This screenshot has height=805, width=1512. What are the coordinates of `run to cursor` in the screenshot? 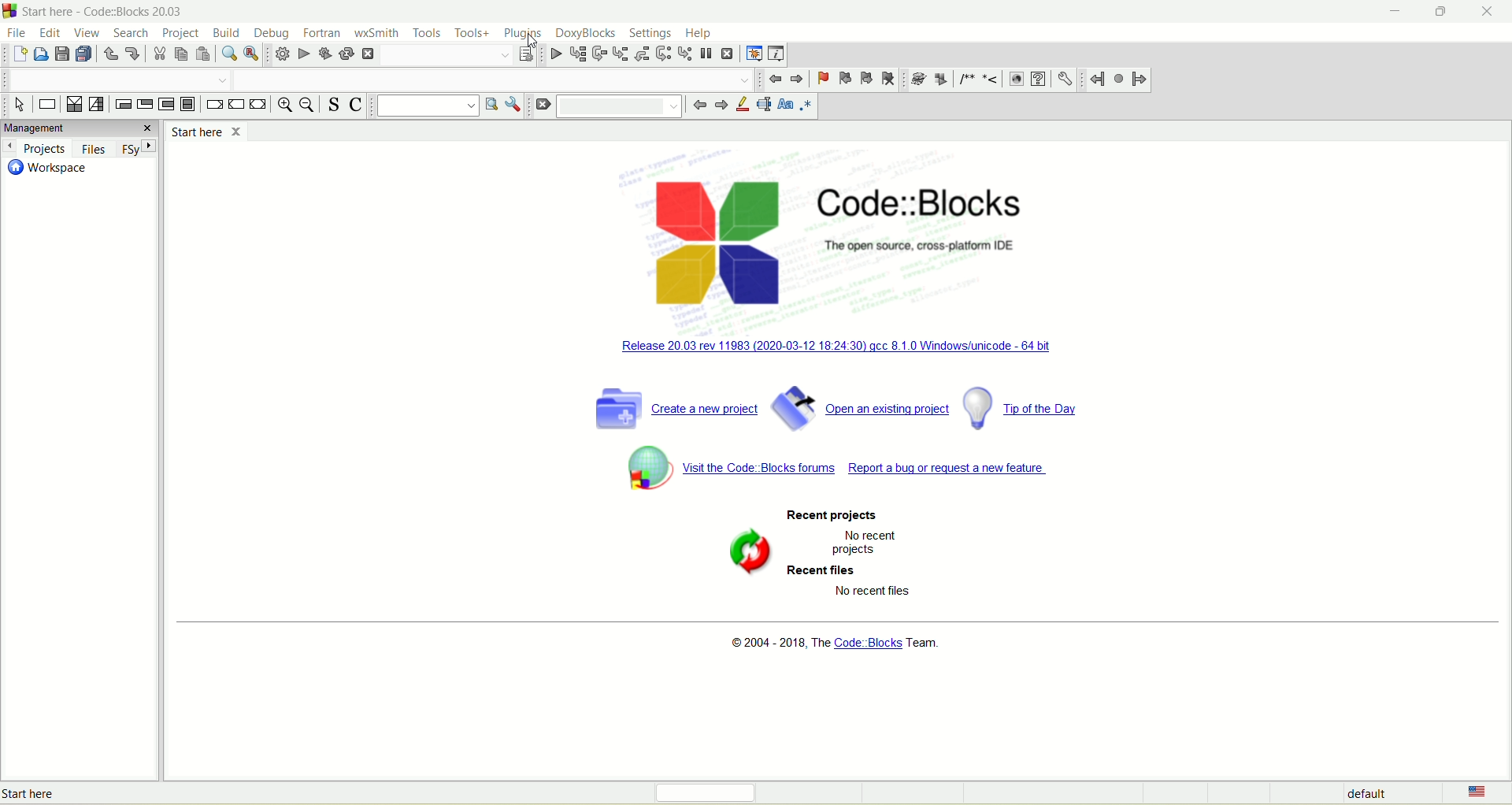 It's located at (576, 54).